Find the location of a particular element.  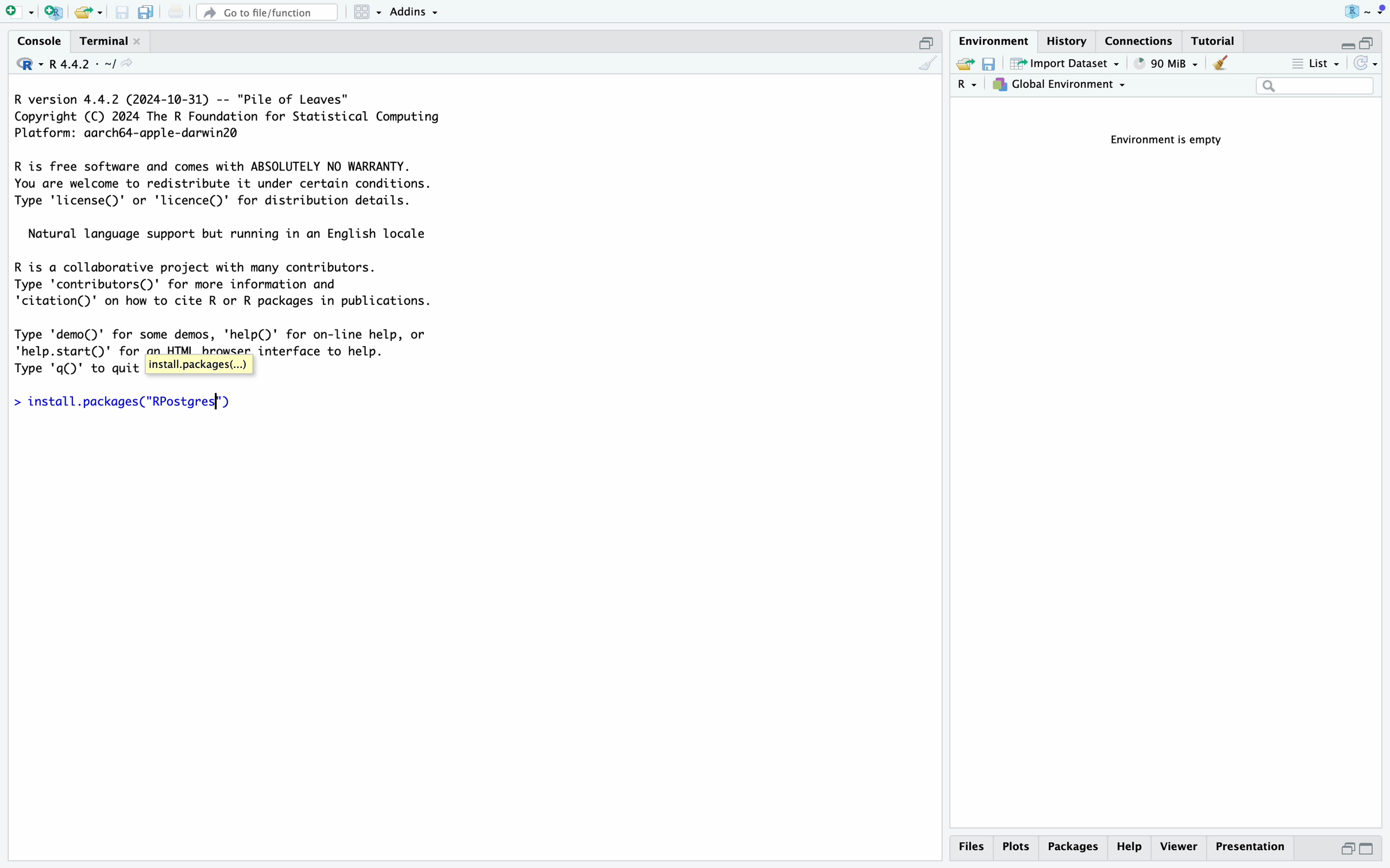

language select is located at coordinates (22, 63).